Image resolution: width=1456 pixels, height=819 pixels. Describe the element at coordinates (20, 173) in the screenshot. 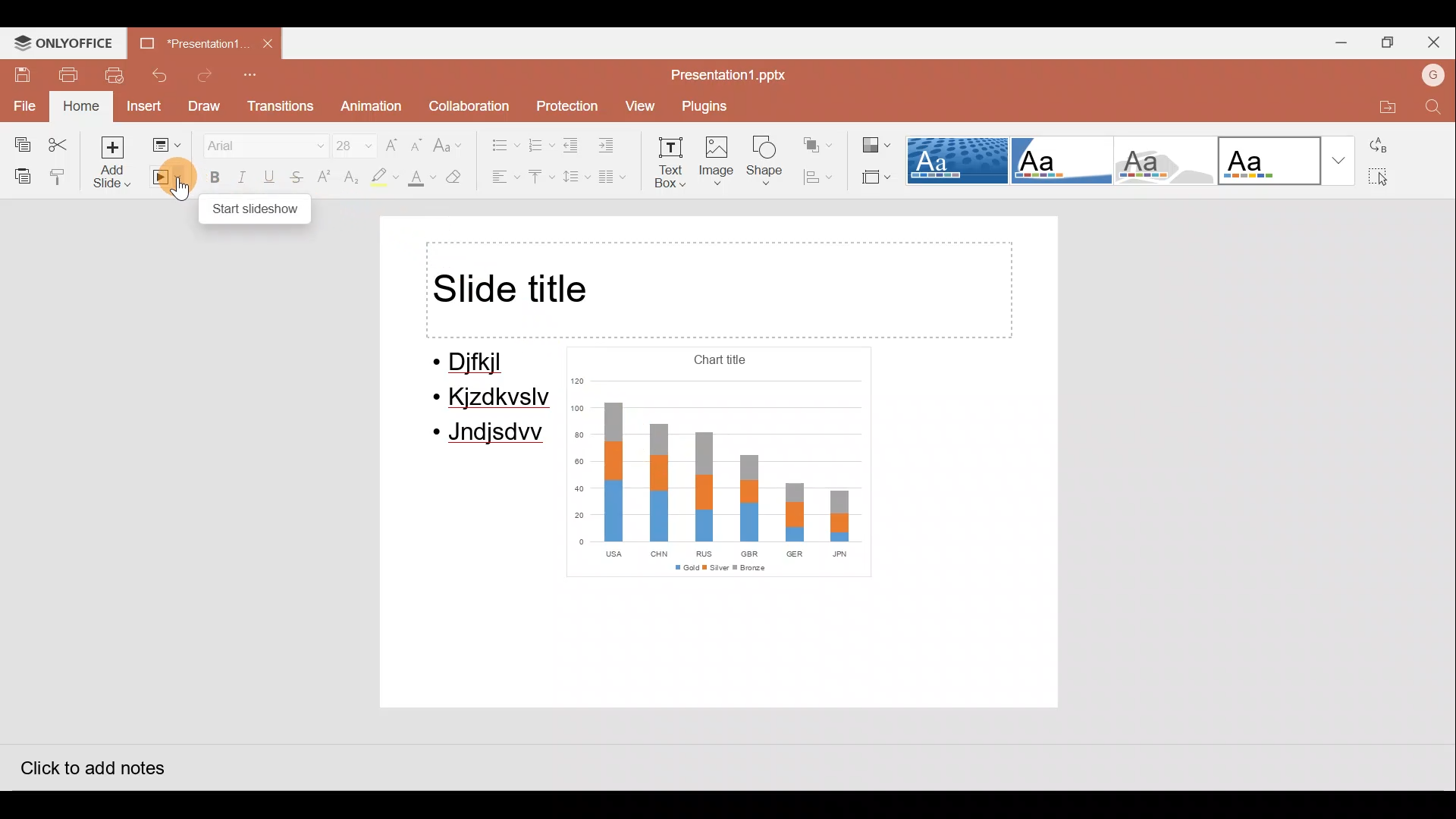

I see `Paste` at that location.